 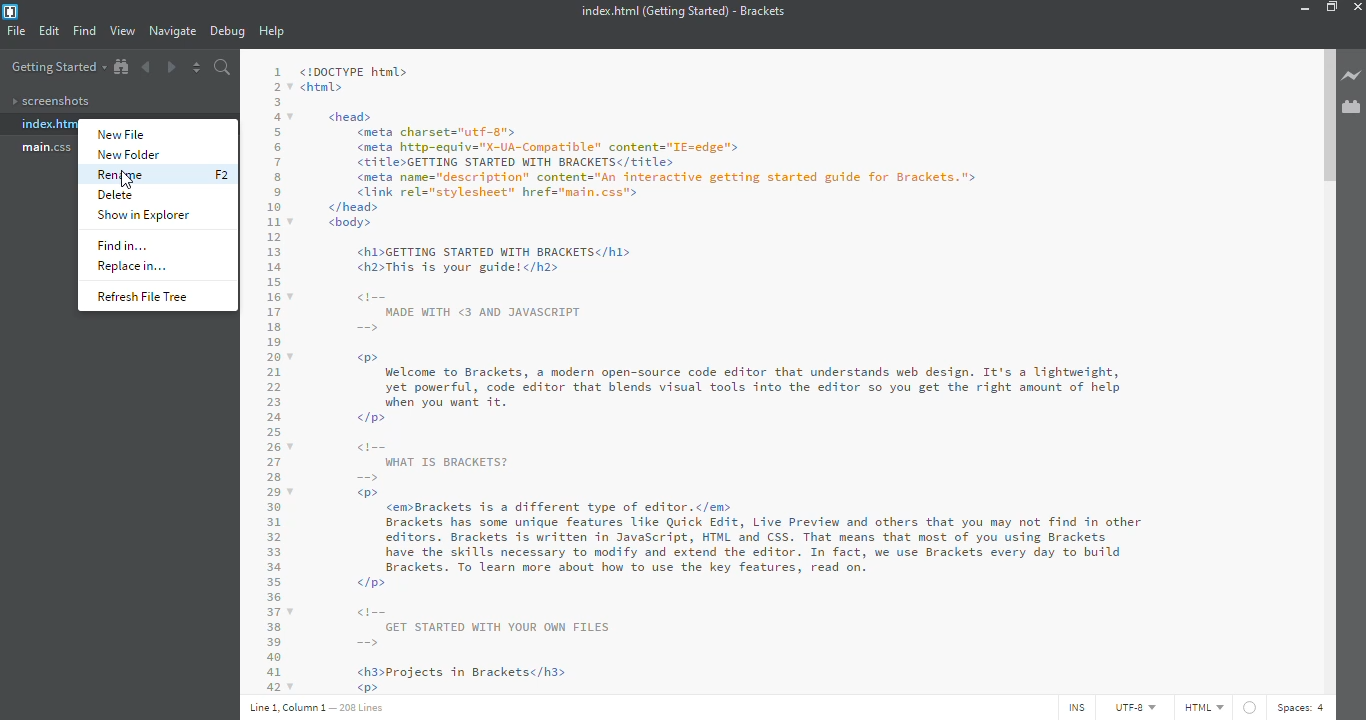 What do you see at coordinates (319, 707) in the screenshot?
I see `line details` at bounding box center [319, 707].